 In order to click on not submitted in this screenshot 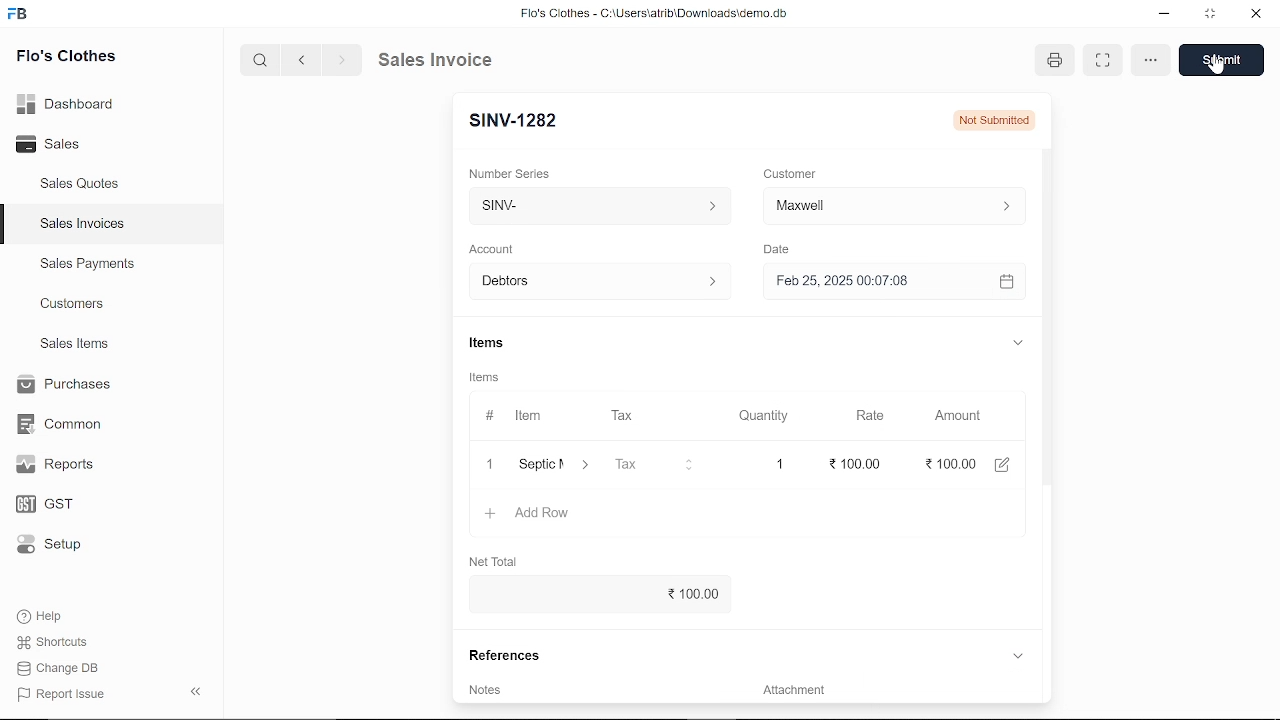, I will do `click(999, 119)`.